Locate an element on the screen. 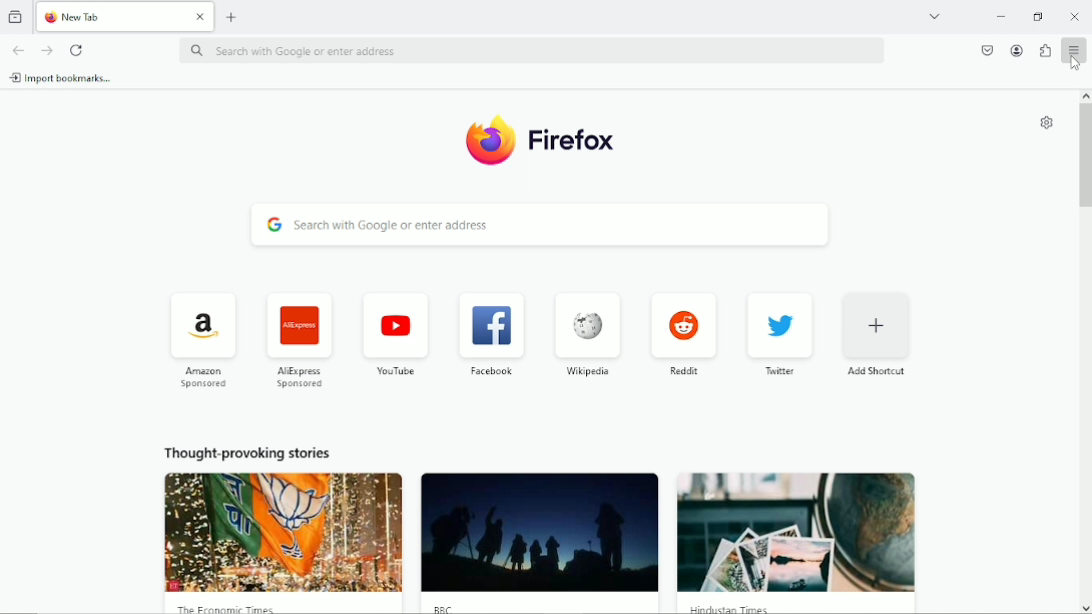  account is located at coordinates (1014, 50).